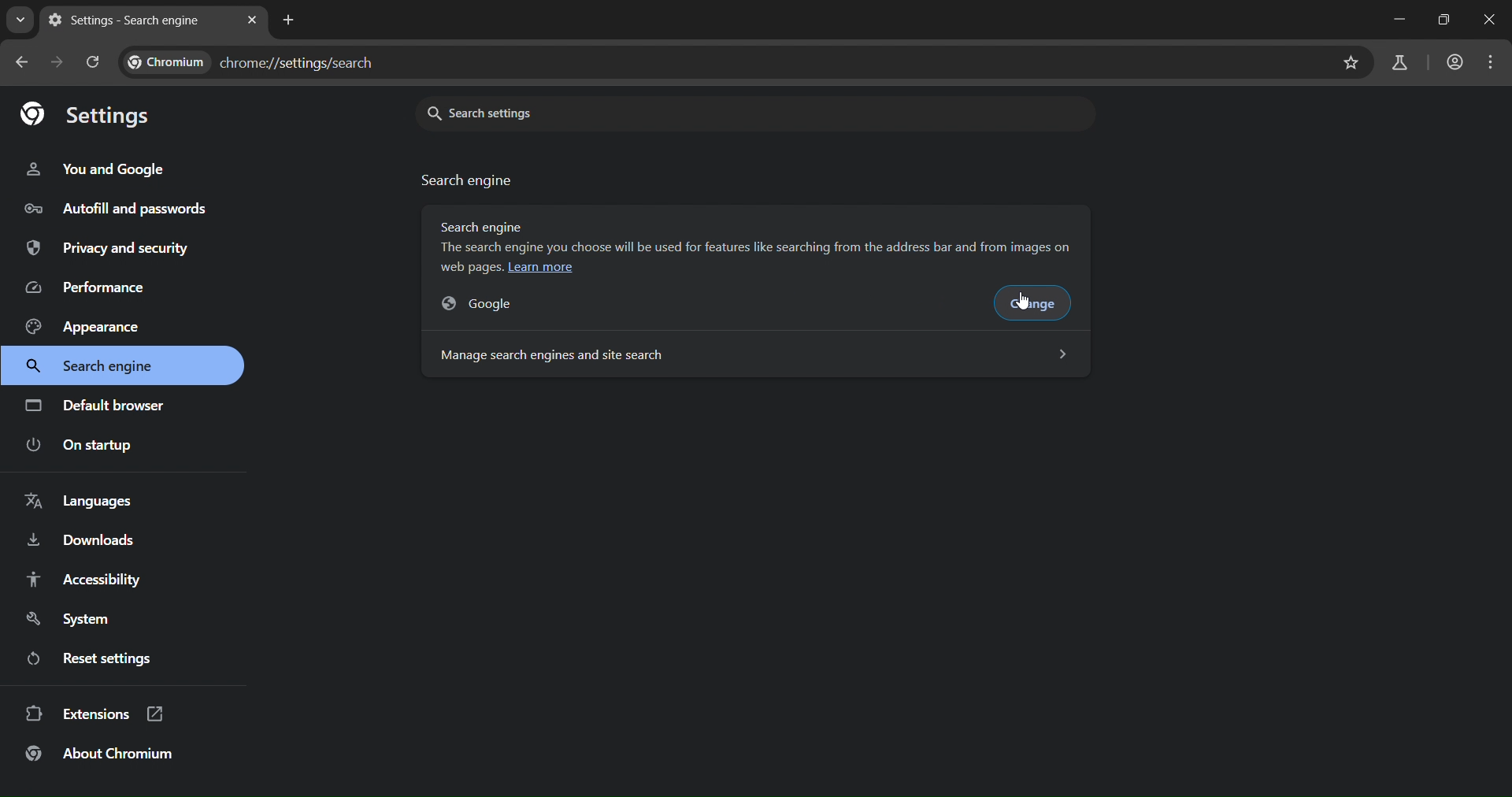  Describe the element at coordinates (85, 112) in the screenshot. I see `settings` at that location.